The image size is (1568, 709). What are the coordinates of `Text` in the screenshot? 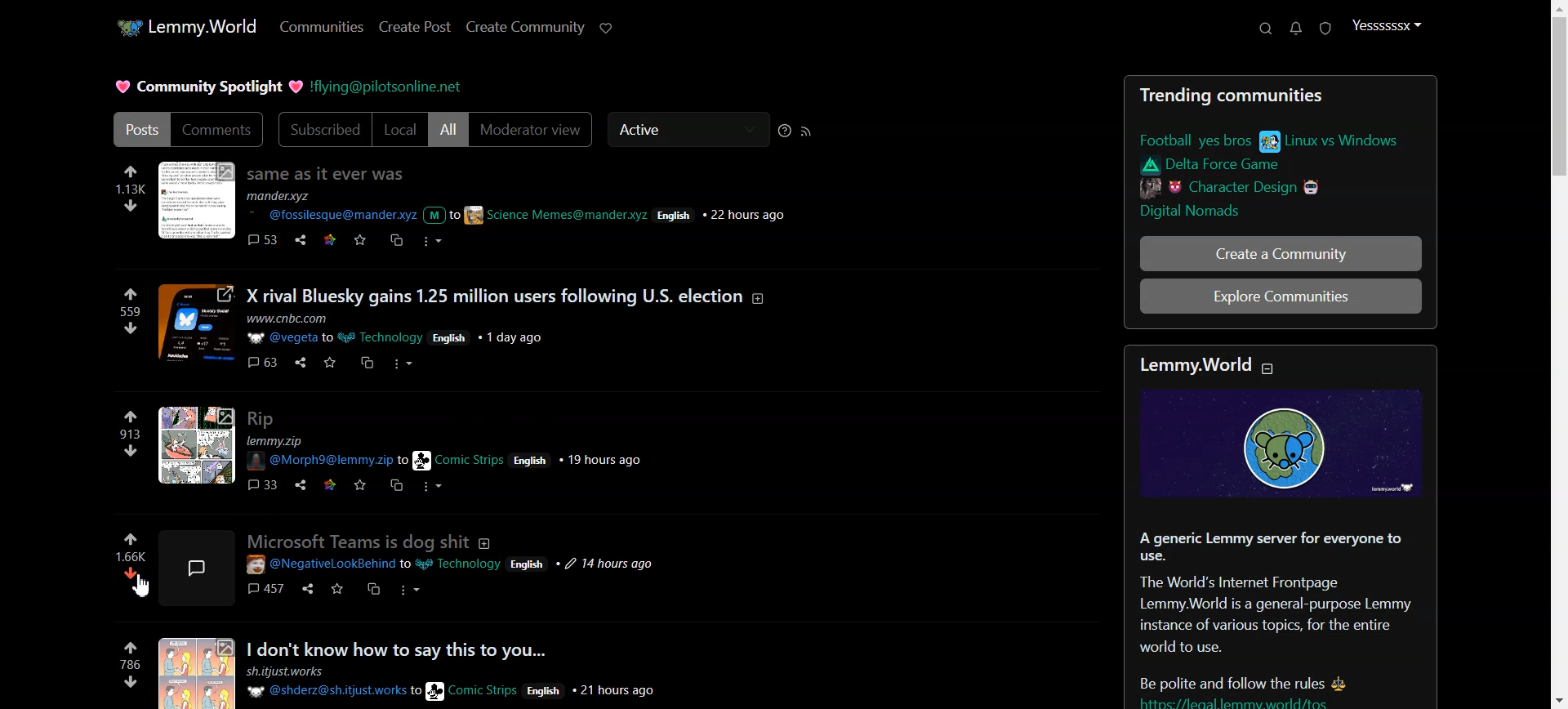 It's located at (1279, 529).